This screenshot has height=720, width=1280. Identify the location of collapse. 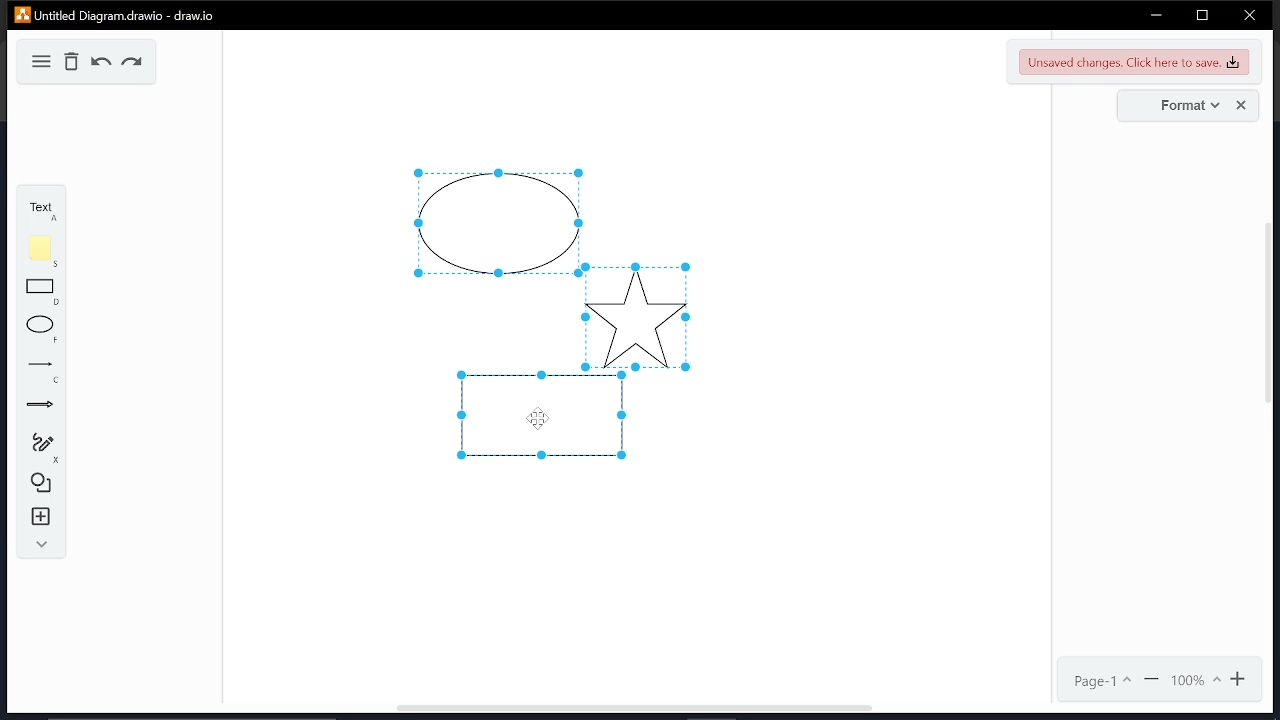
(39, 545).